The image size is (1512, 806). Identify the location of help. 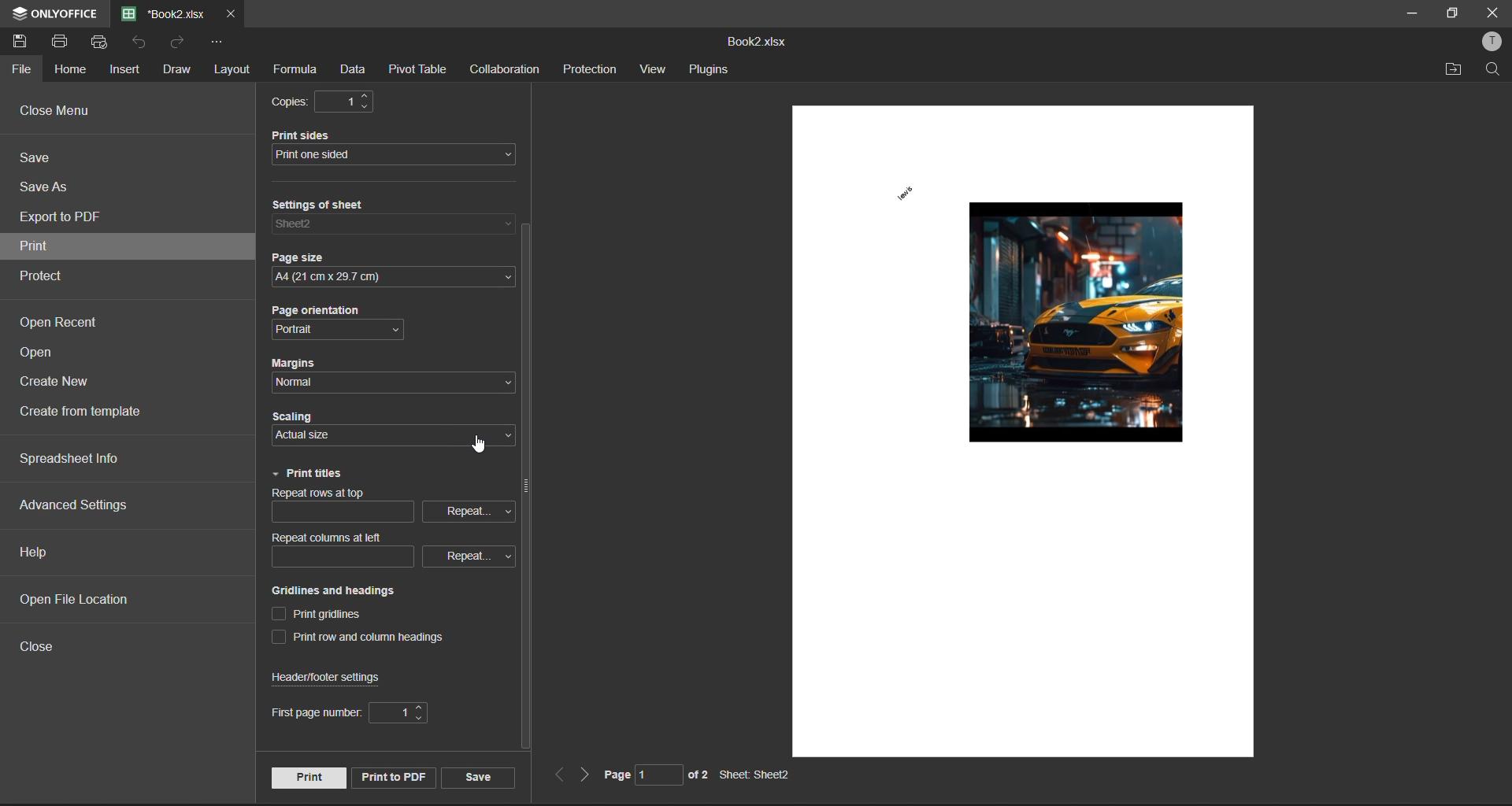
(38, 553).